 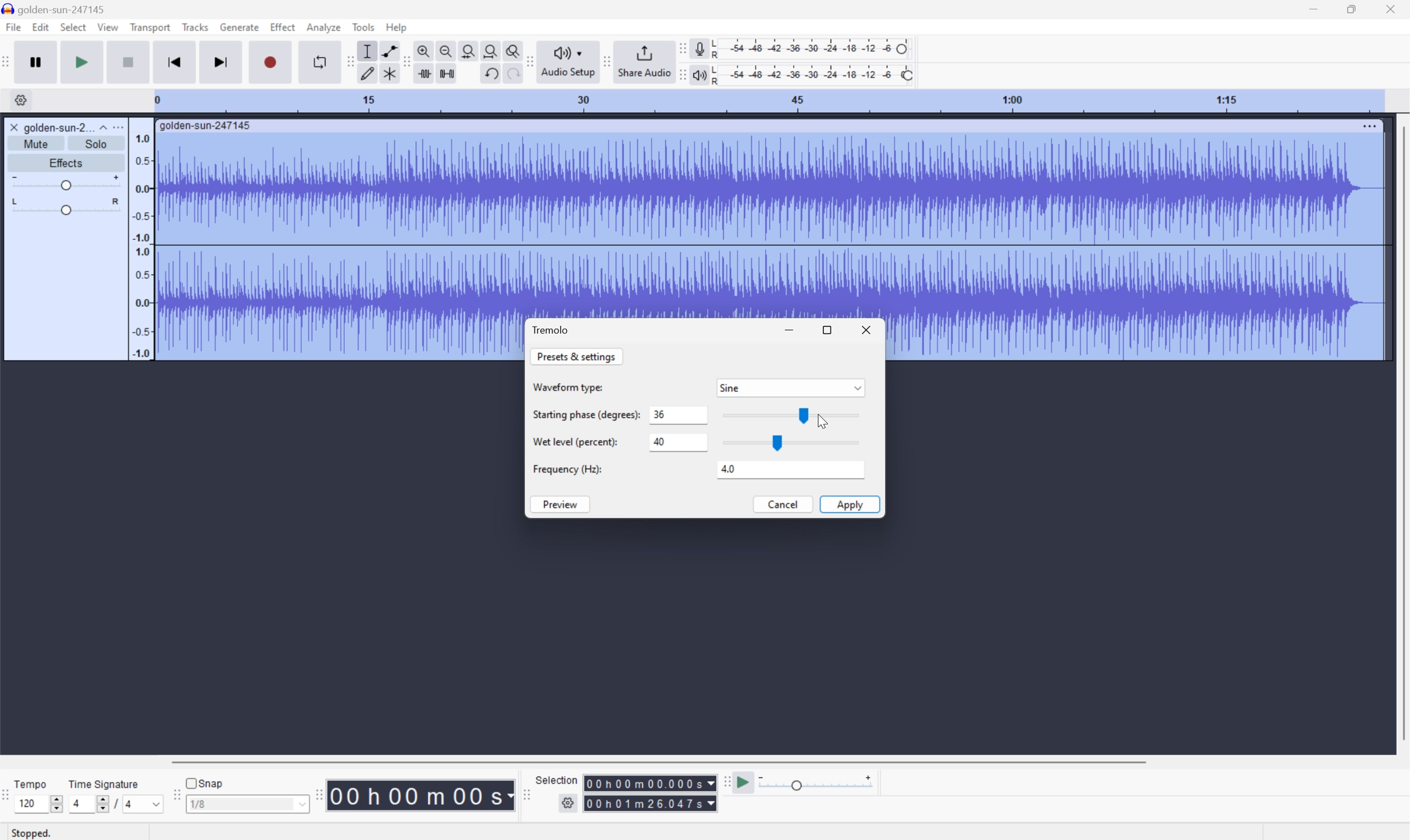 I want to click on Restore Down, so click(x=1351, y=9).